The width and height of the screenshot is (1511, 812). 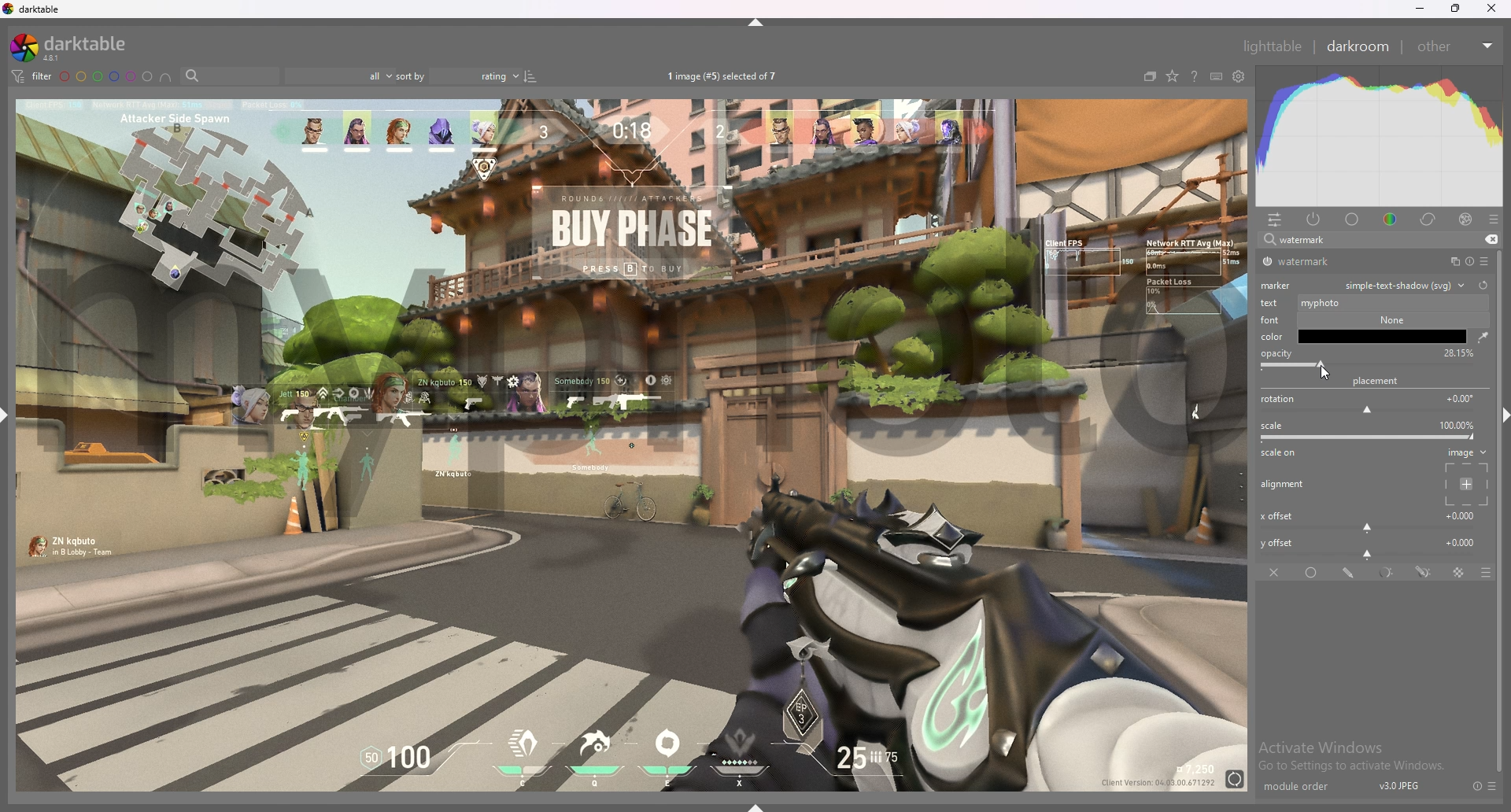 I want to click on correct, so click(x=1429, y=219).